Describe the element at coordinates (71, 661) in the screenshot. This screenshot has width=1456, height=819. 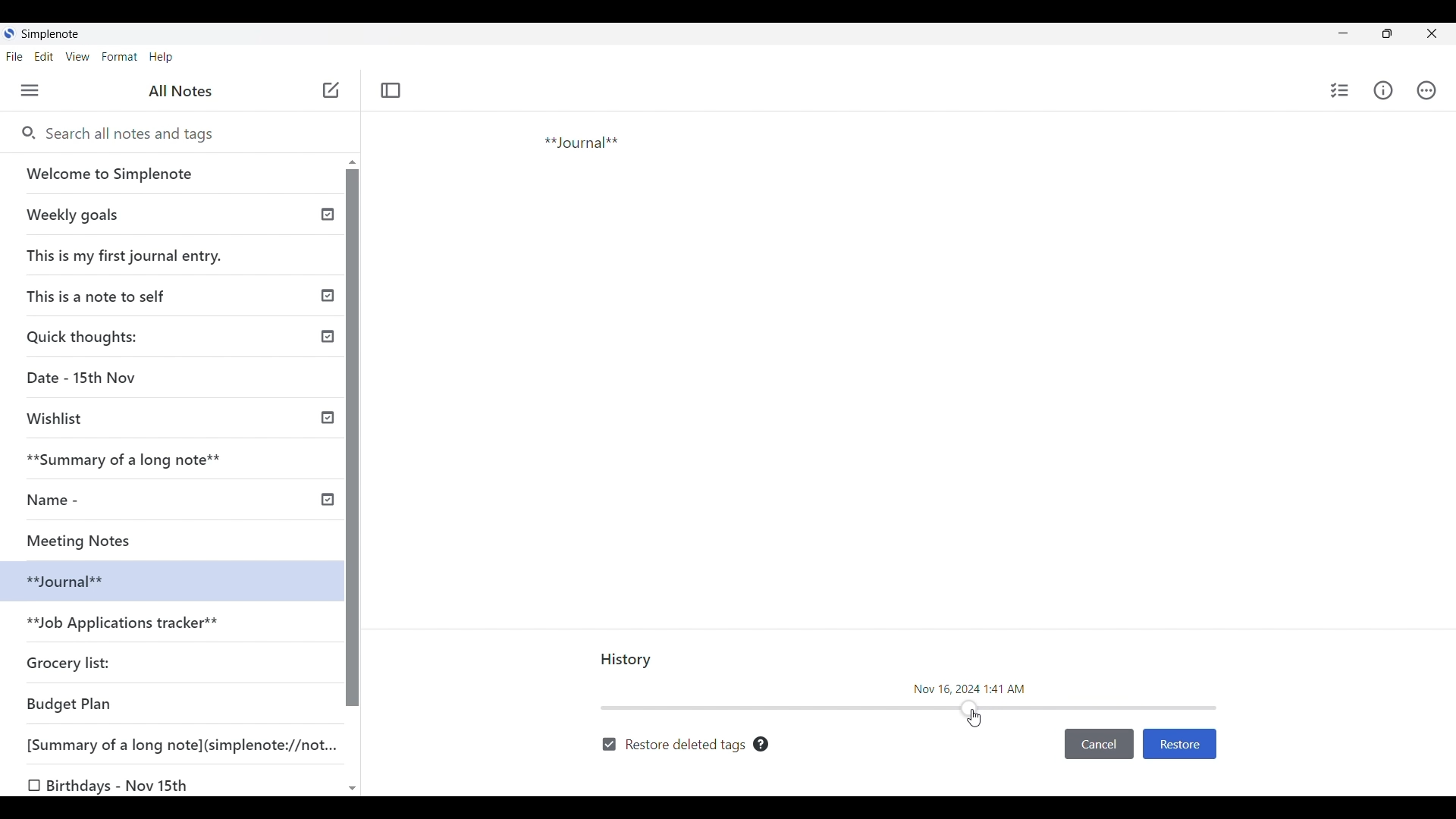
I see `Grocery list:` at that location.